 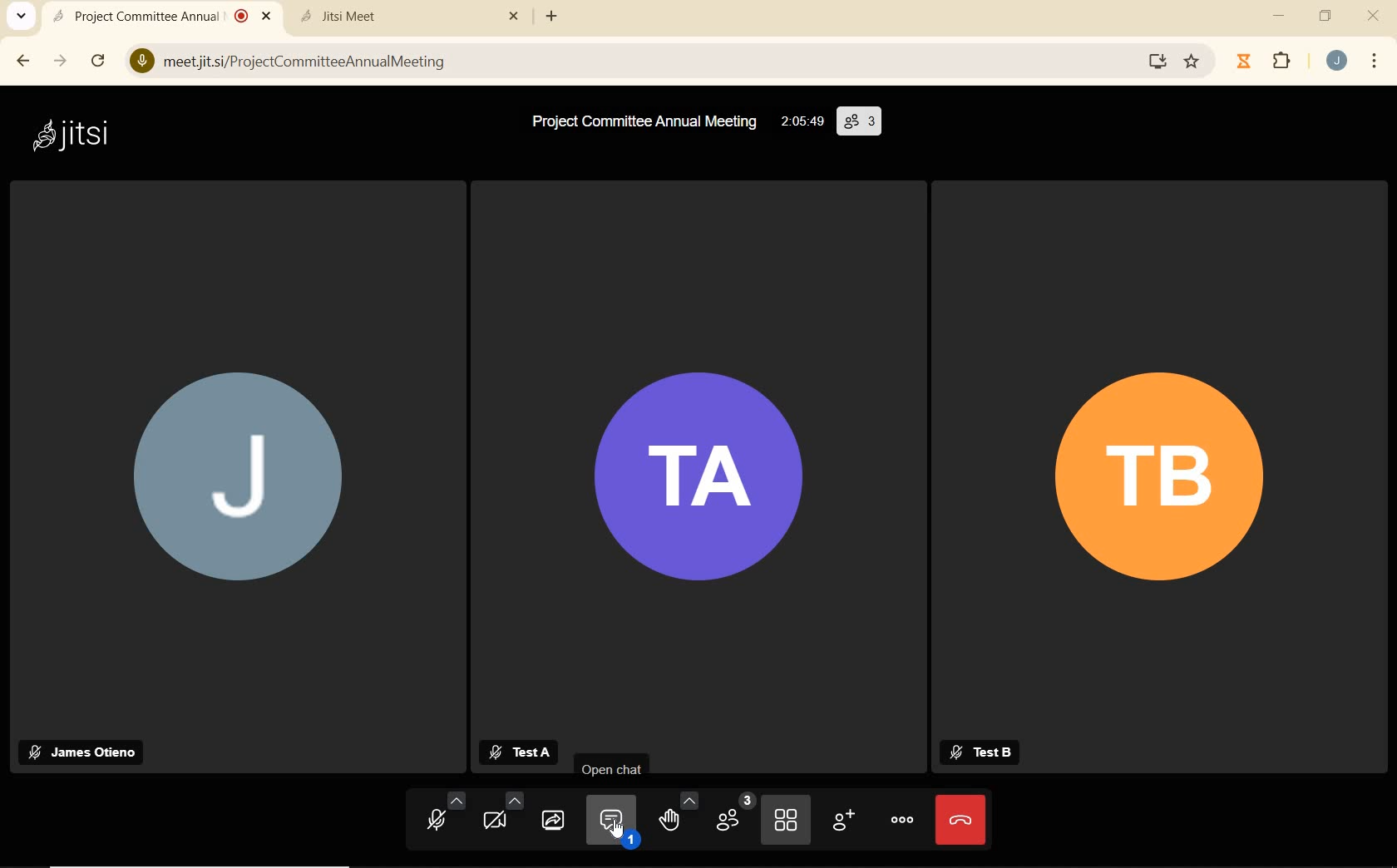 I want to click on TA, so click(x=696, y=478).